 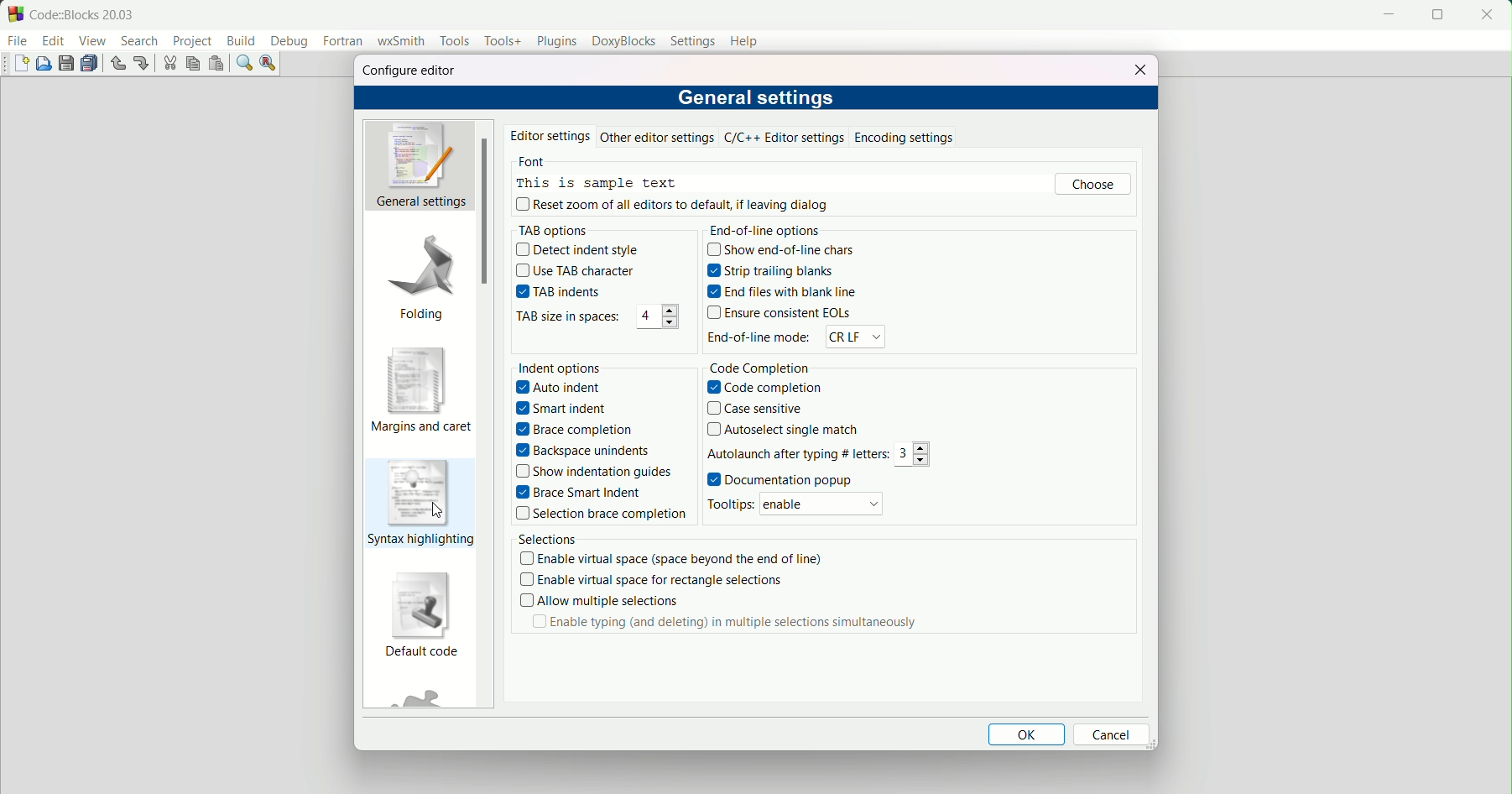 What do you see at coordinates (597, 601) in the screenshot?
I see `allow multiple selections` at bounding box center [597, 601].